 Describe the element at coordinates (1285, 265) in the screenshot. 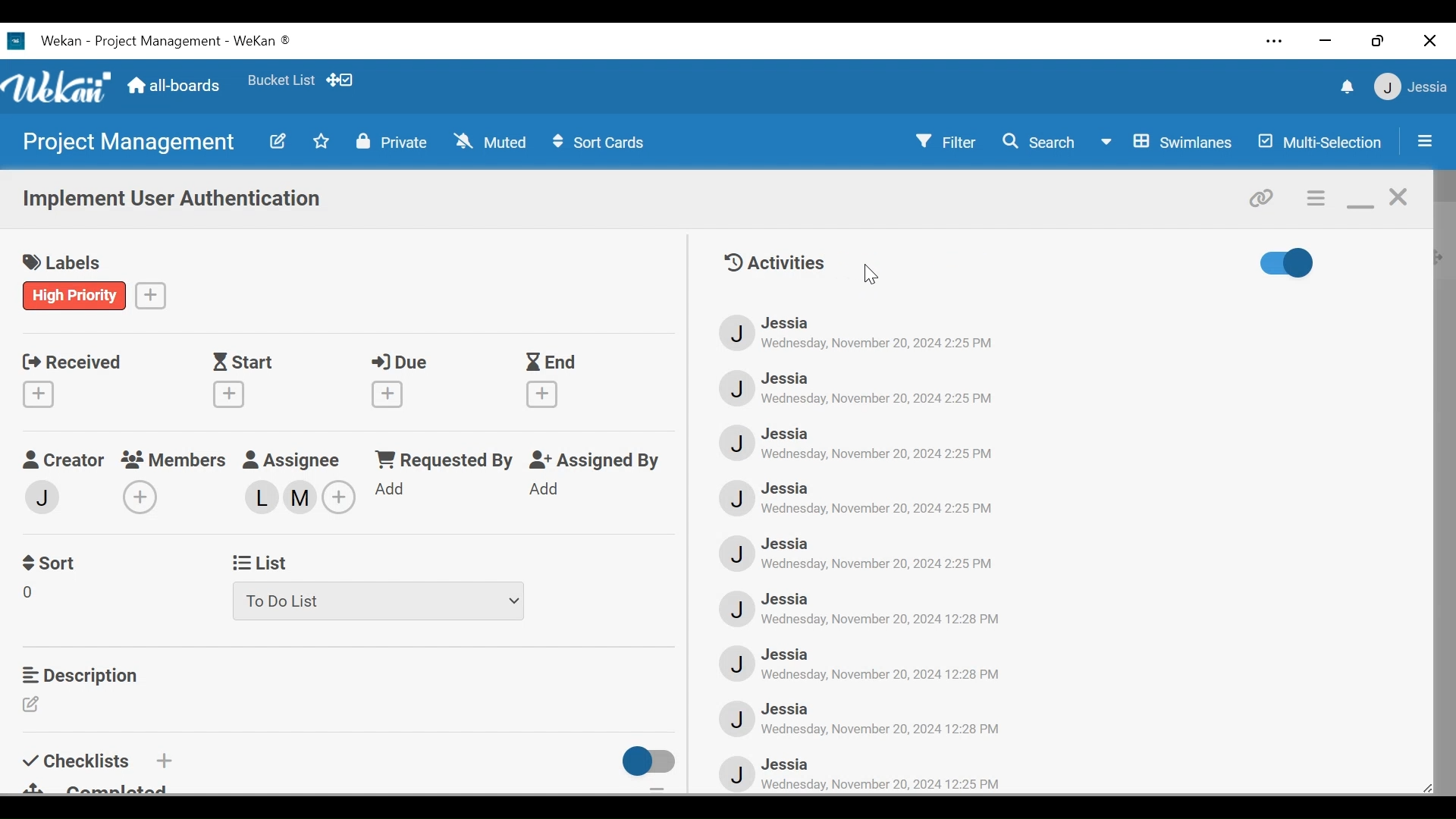

I see `Toggle show/hide activities` at that location.